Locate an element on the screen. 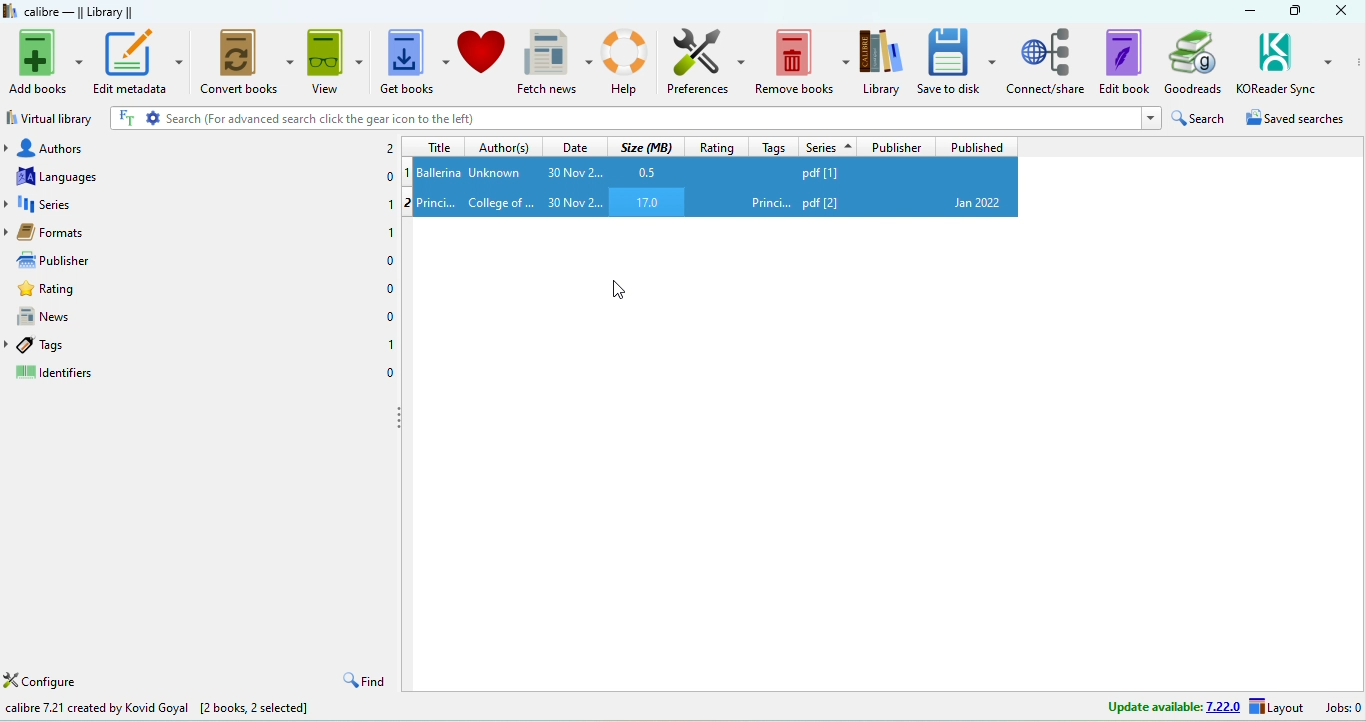  maximize is located at coordinates (1296, 11).